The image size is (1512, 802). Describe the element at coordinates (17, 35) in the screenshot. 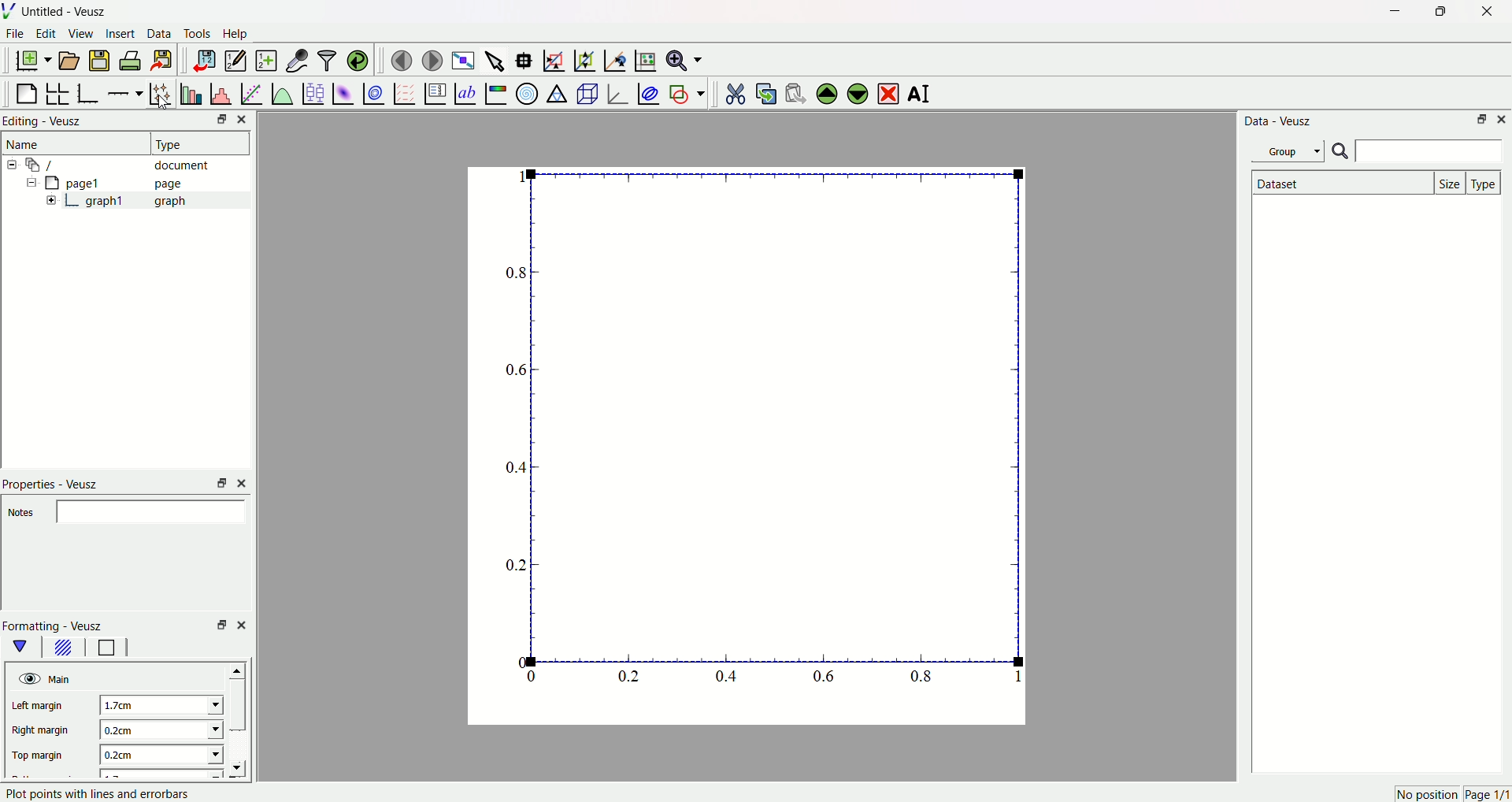

I see `File` at that location.